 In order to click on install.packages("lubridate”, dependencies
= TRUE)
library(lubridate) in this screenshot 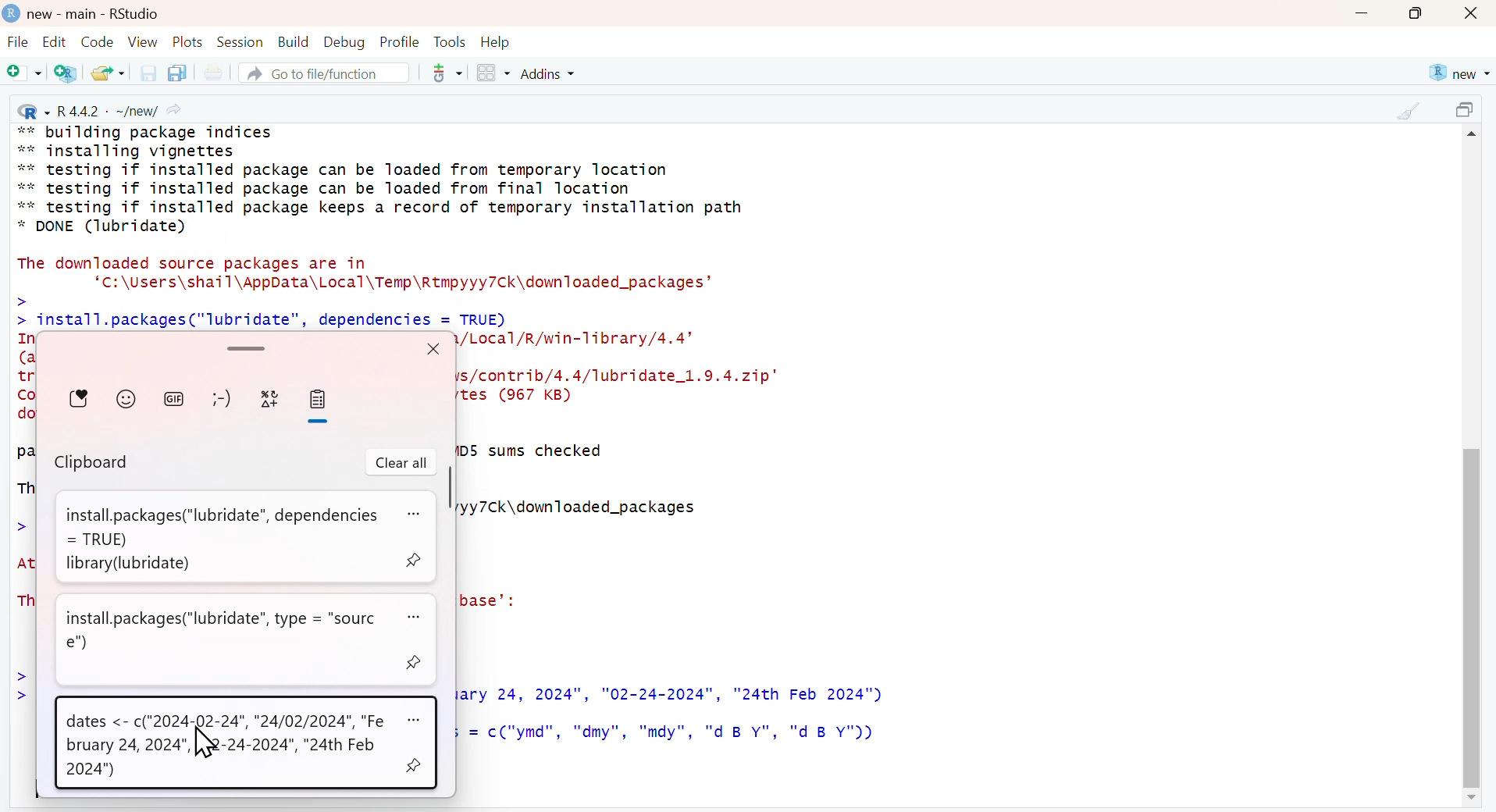, I will do `click(217, 537)`.